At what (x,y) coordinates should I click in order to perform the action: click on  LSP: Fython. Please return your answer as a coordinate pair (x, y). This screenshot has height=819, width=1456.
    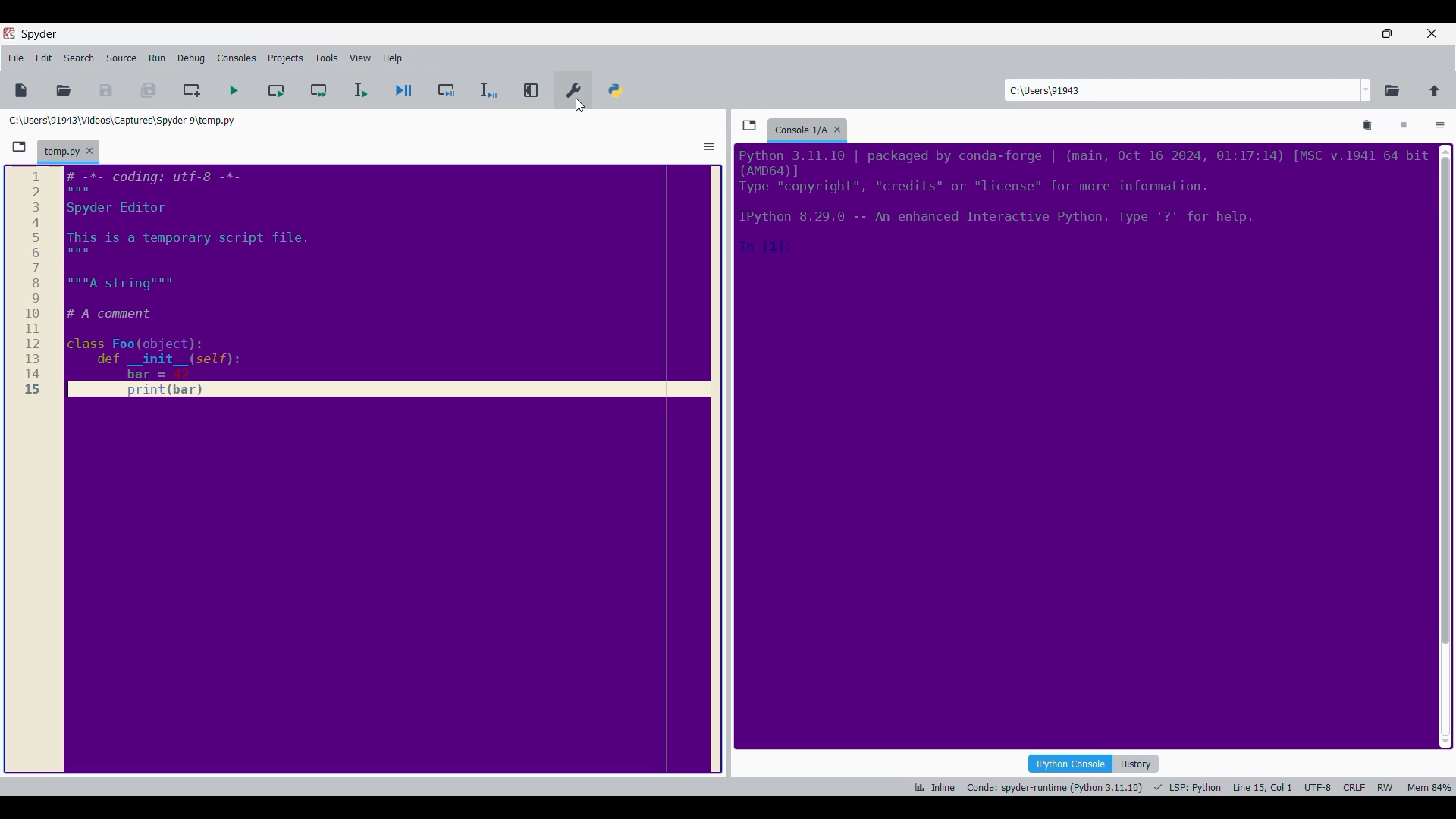
    Looking at the image, I should click on (1190, 786).